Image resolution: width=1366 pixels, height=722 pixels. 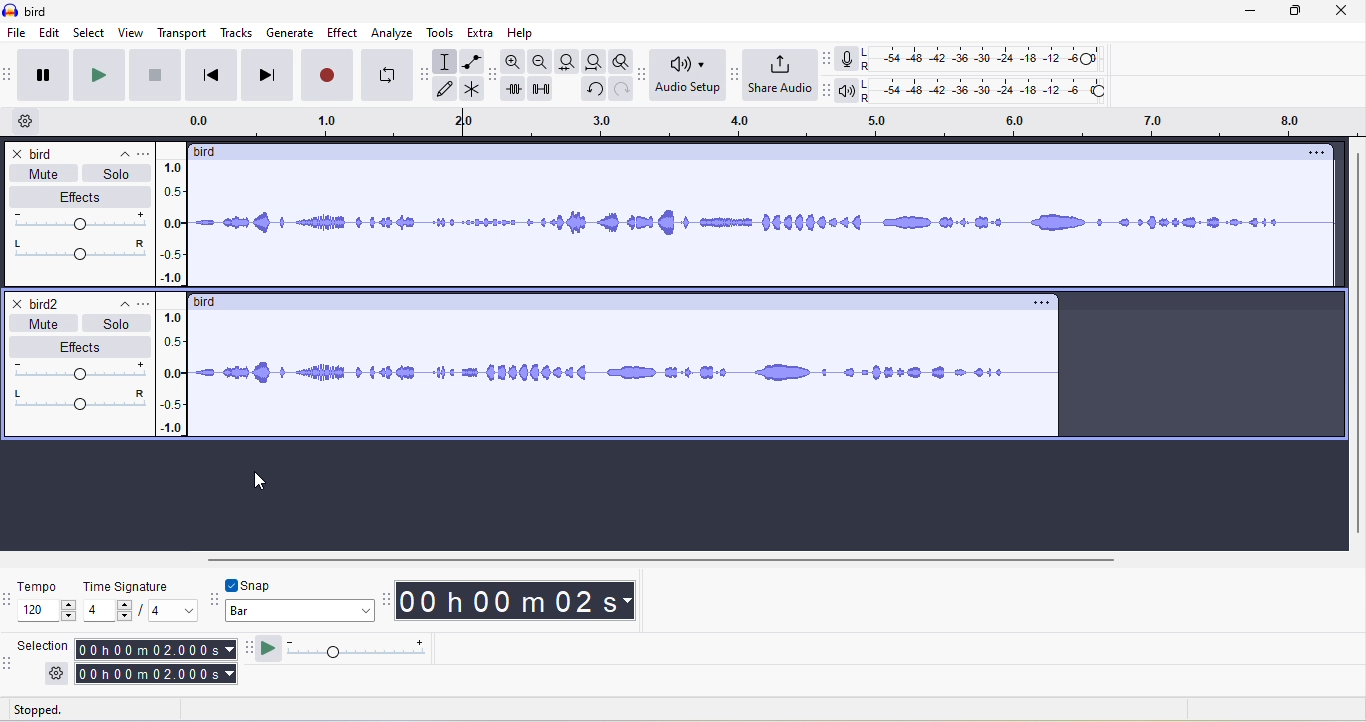 I want to click on redo, so click(x=623, y=91).